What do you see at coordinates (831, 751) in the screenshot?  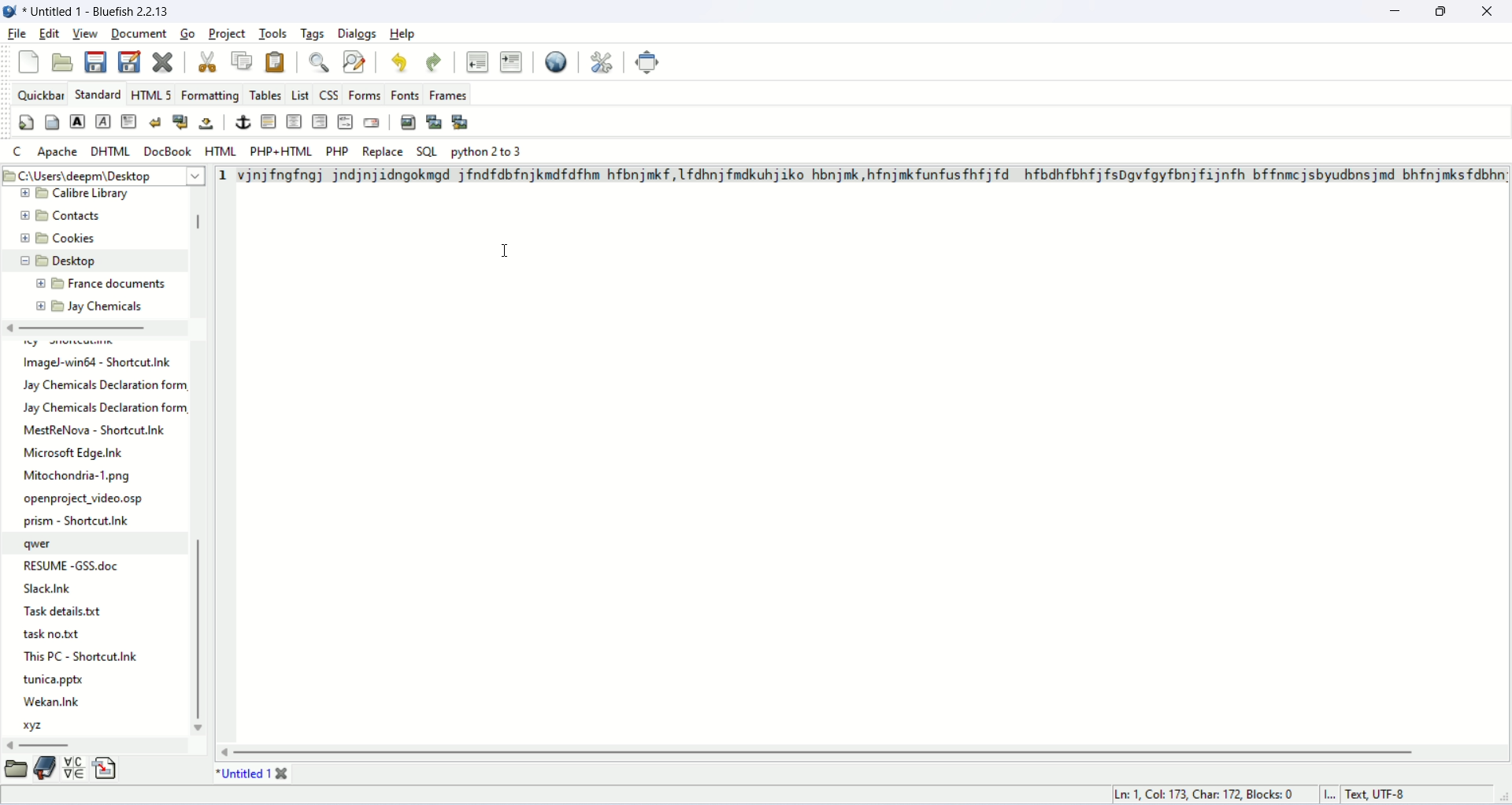 I see `horizontal scroll bar` at bounding box center [831, 751].